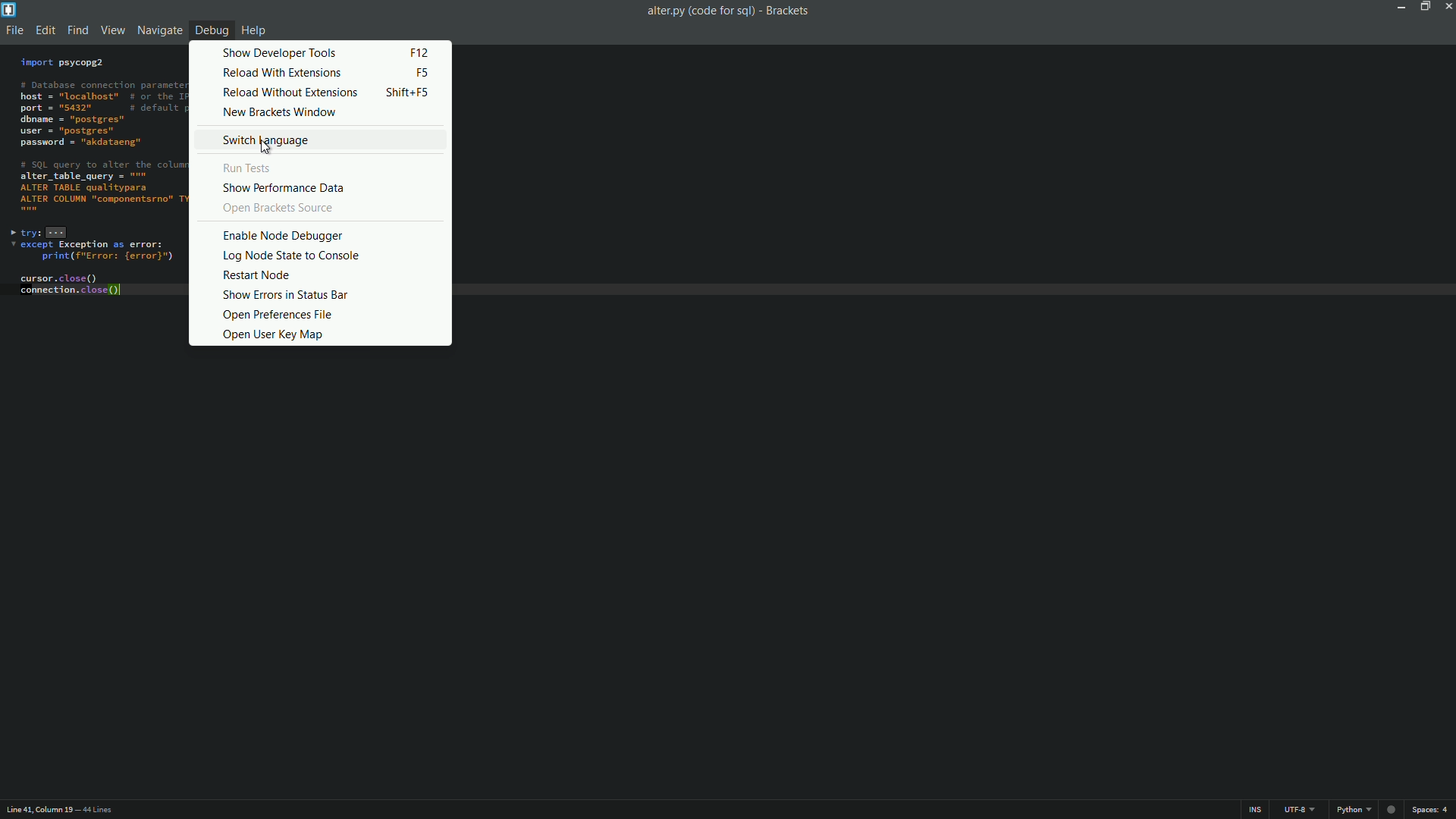 This screenshot has width=1456, height=819. I want to click on Show errors in status bar, so click(284, 294).